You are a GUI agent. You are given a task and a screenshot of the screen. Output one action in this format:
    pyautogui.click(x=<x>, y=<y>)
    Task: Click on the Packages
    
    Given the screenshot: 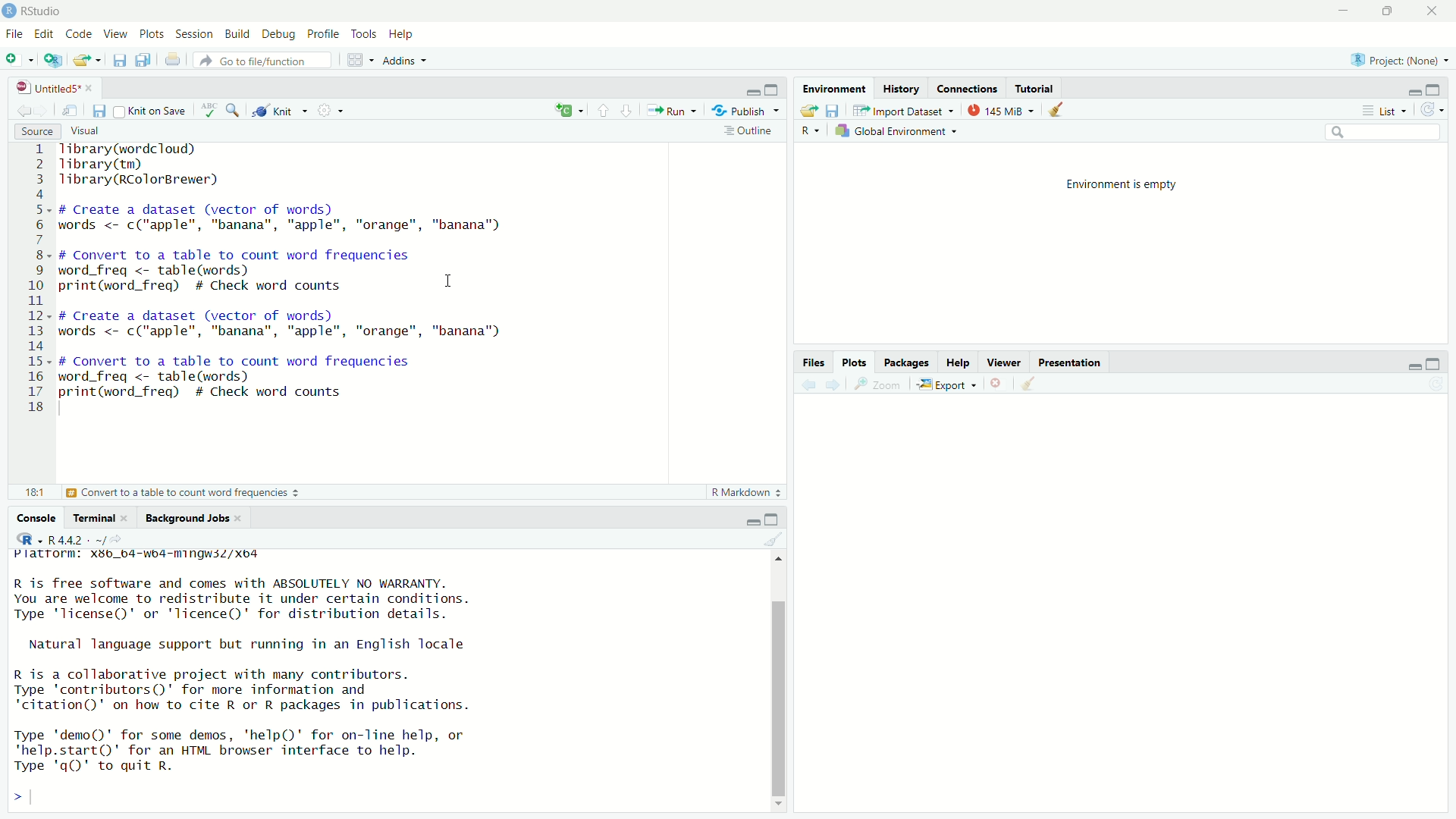 What is the action you would take?
    pyautogui.click(x=906, y=360)
    